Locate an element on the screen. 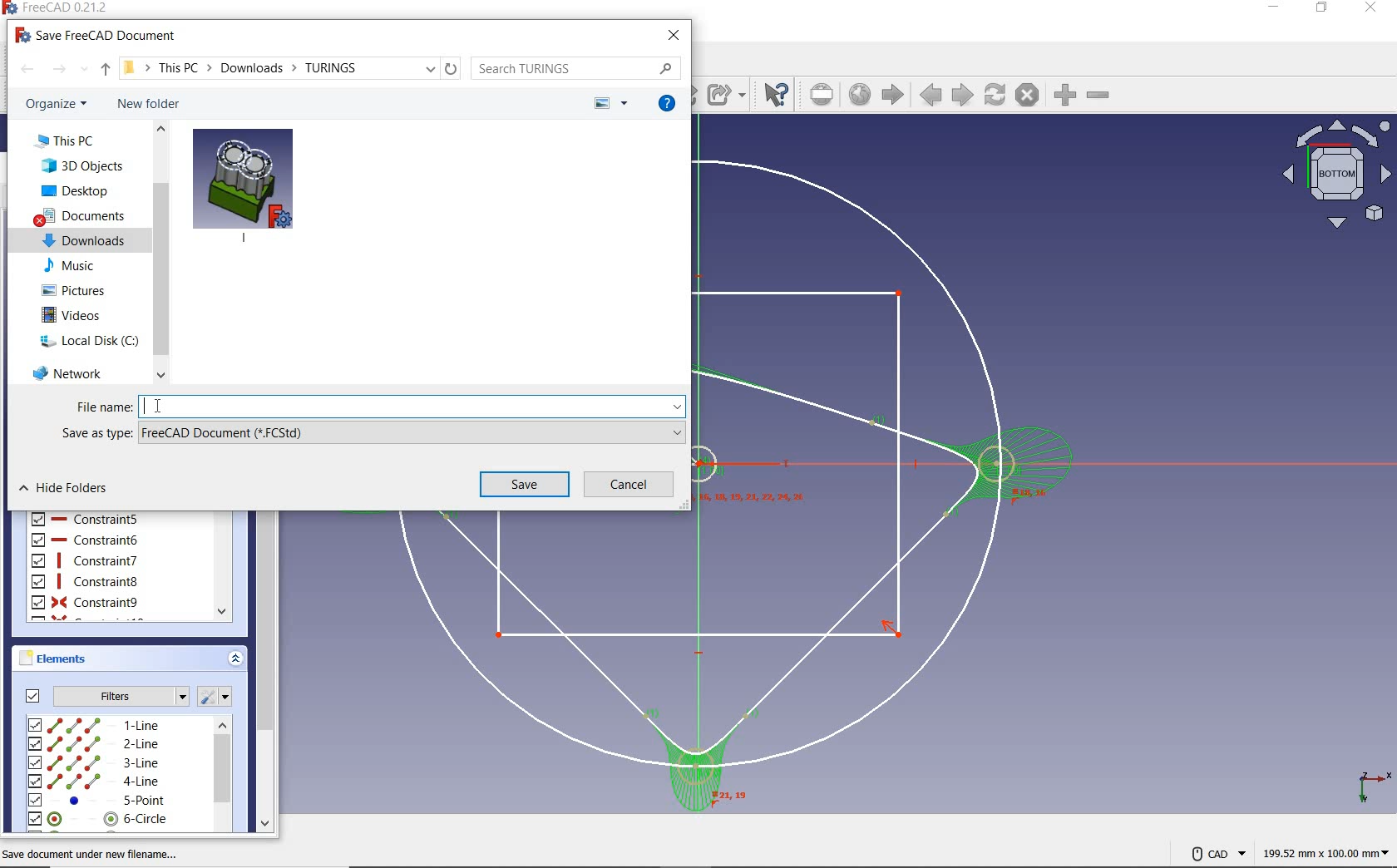 The image size is (1397, 868). 5-line is located at coordinates (98, 801).